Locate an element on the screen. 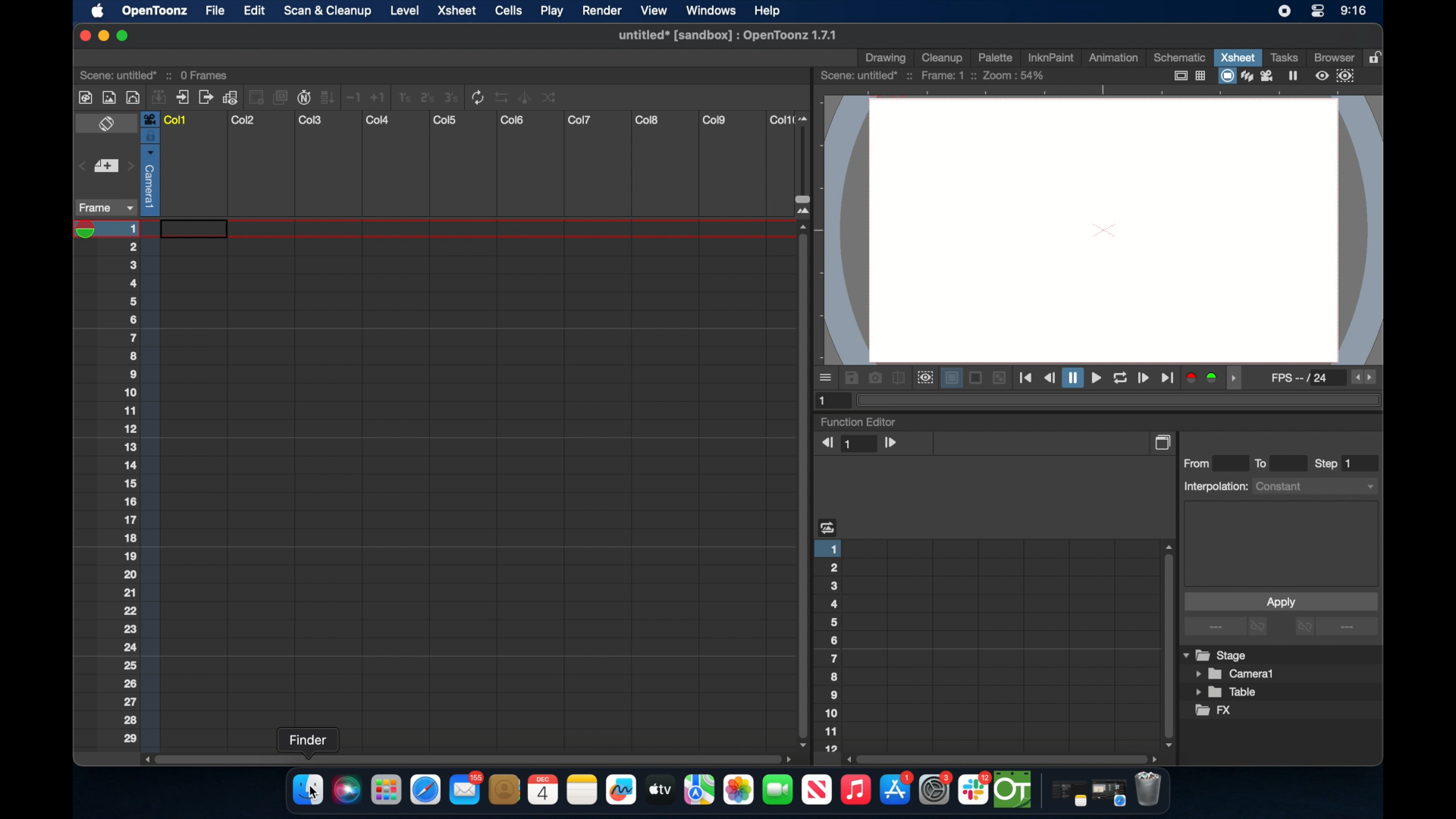 This screenshot has height=819, width=1456. function editor is located at coordinates (859, 422).